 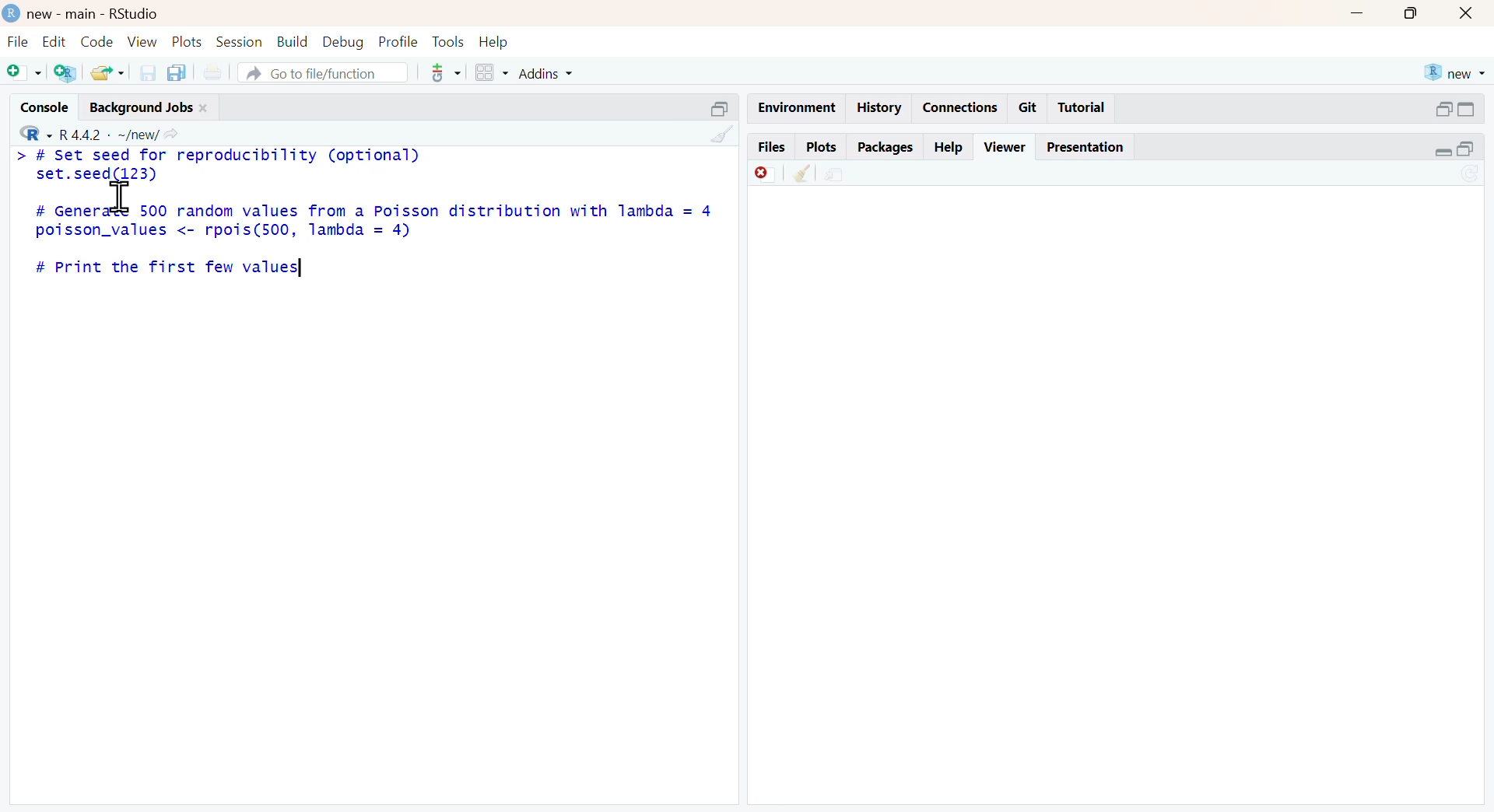 What do you see at coordinates (121, 197) in the screenshot?
I see `cursor` at bounding box center [121, 197].